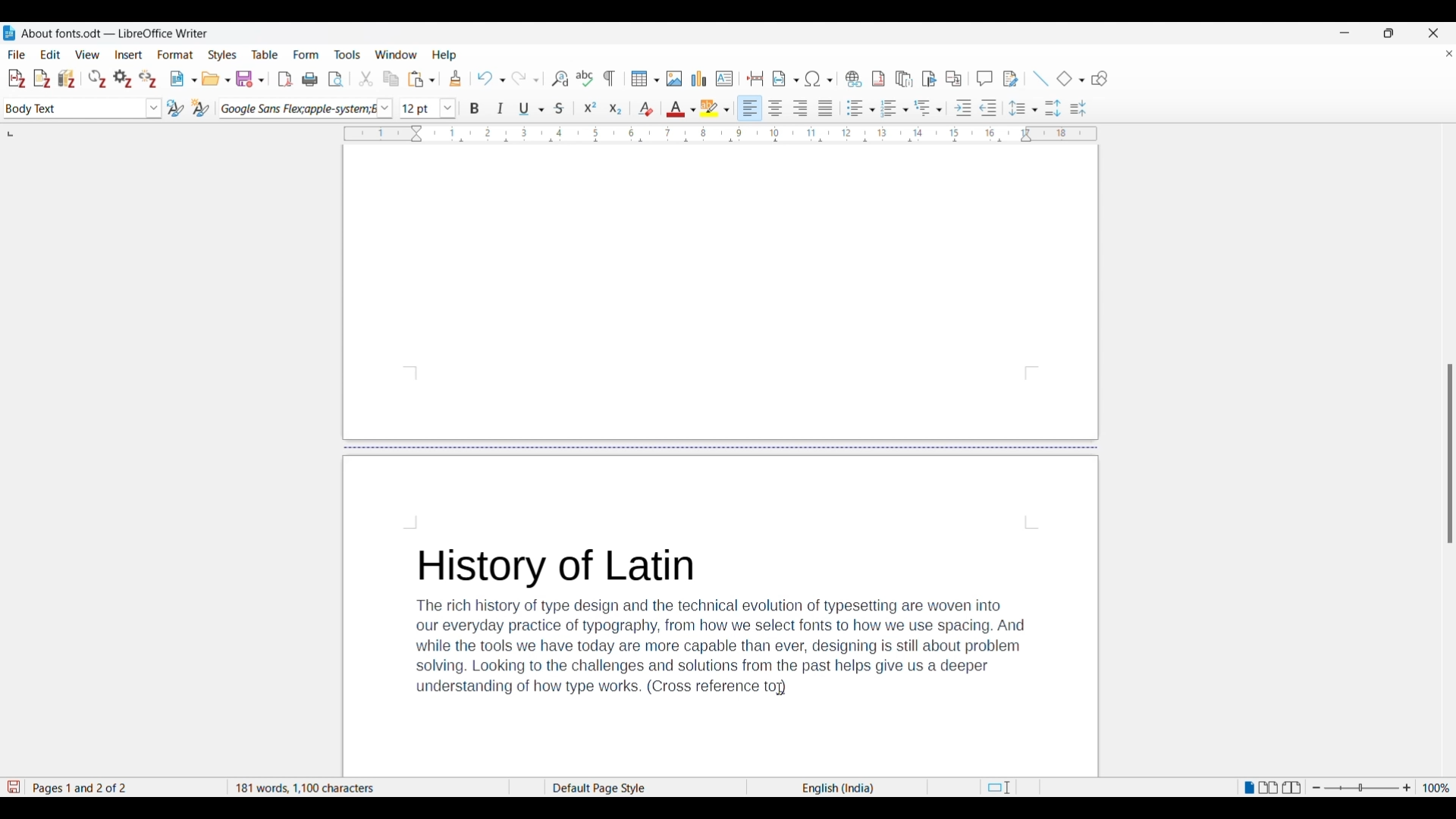 The width and height of the screenshot is (1456, 819). Describe the element at coordinates (1433, 33) in the screenshot. I see `Close software` at that location.